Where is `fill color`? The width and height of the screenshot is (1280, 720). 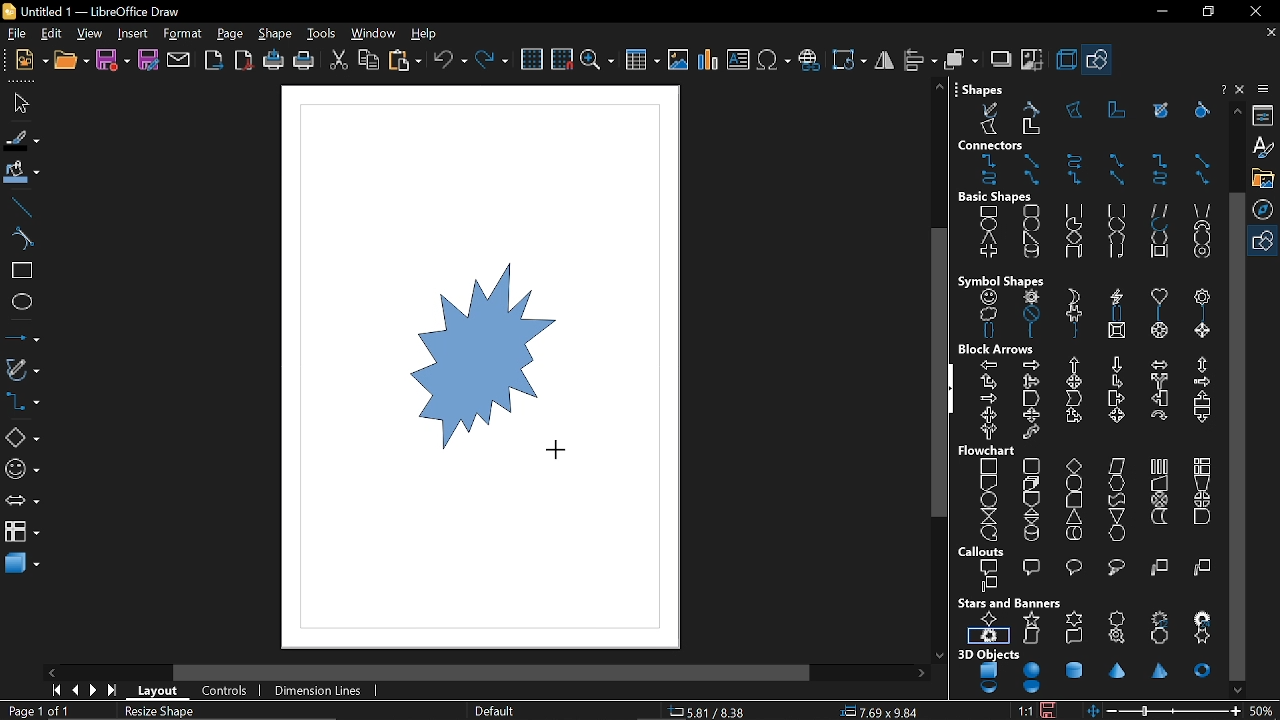
fill color is located at coordinates (20, 174).